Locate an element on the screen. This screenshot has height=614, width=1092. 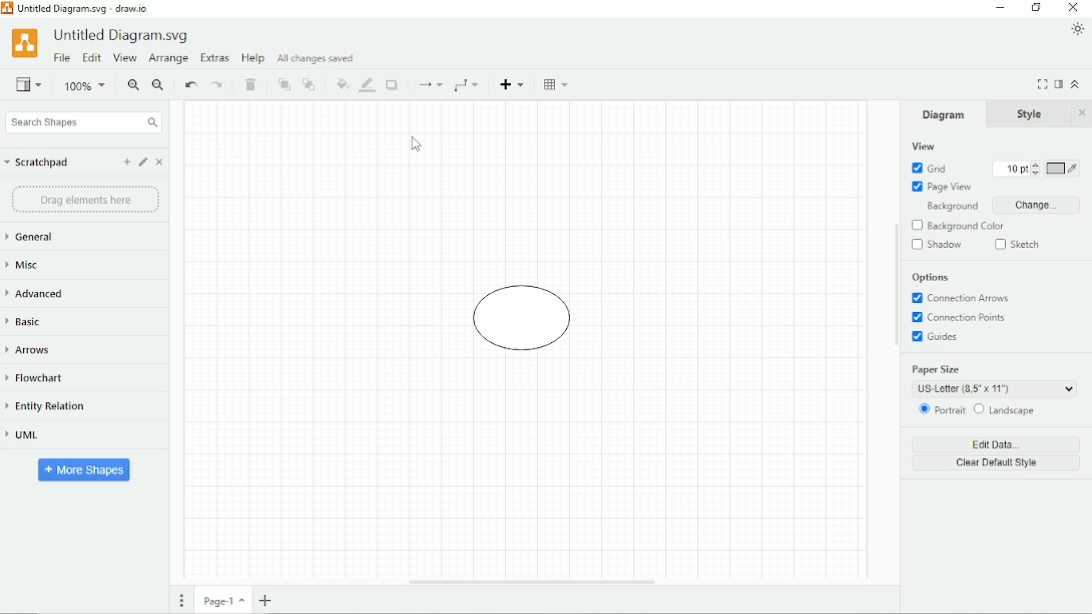
Insert is located at coordinates (511, 84).